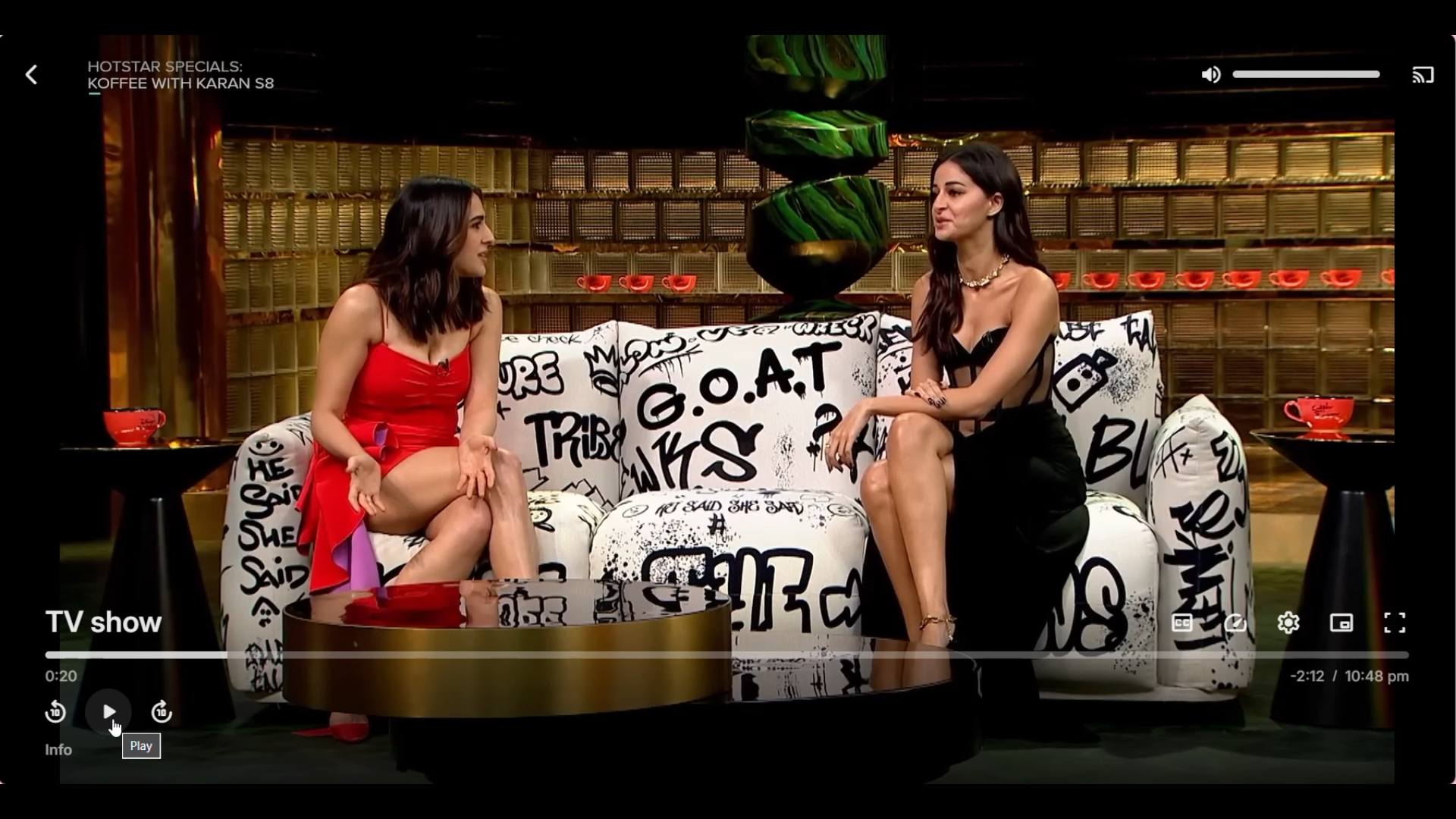 Image resolution: width=1456 pixels, height=819 pixels. Describe the element at coordinates (1305, 74) in the screenshot. I see `Slider to change volume` at that location.